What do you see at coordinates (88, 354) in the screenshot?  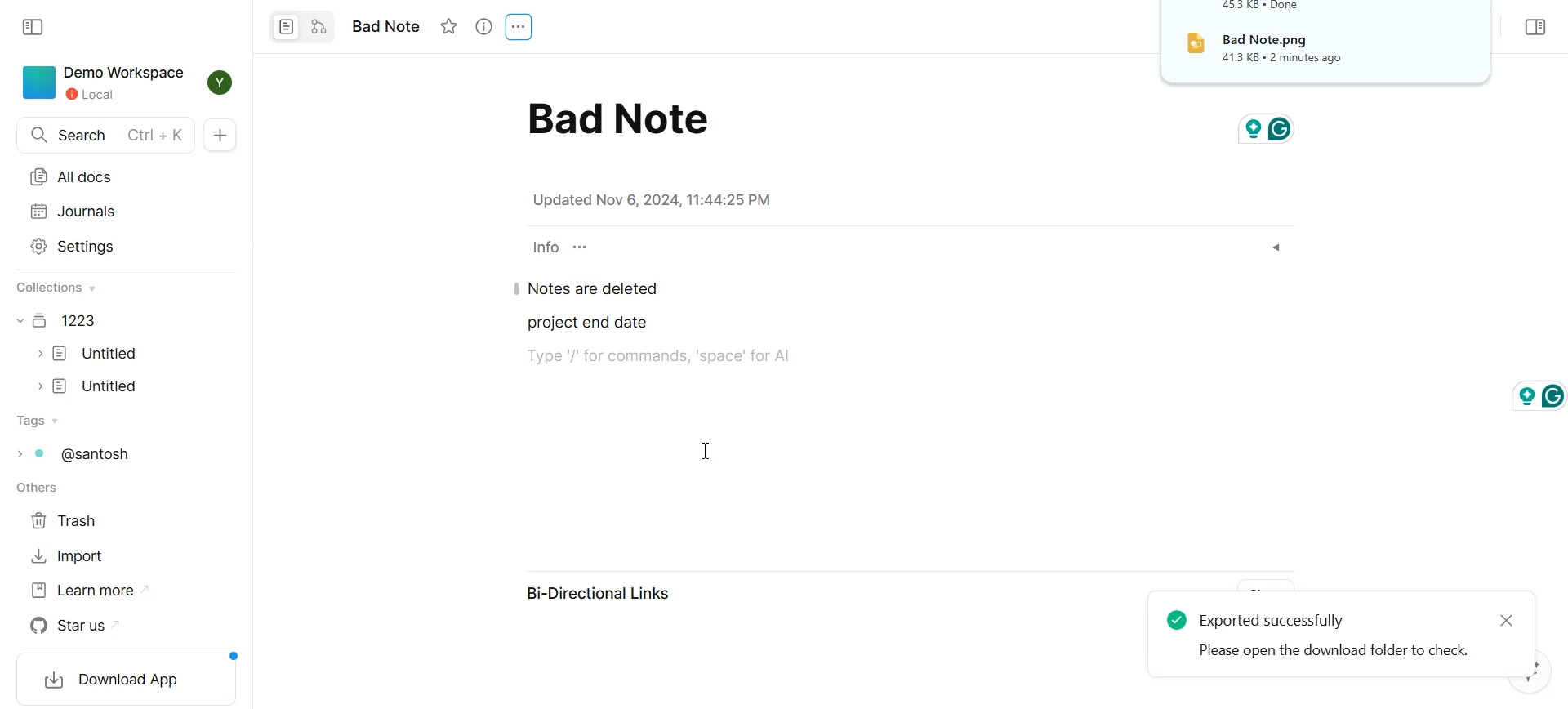 I see `Document file` at bounding box center [88, 354].